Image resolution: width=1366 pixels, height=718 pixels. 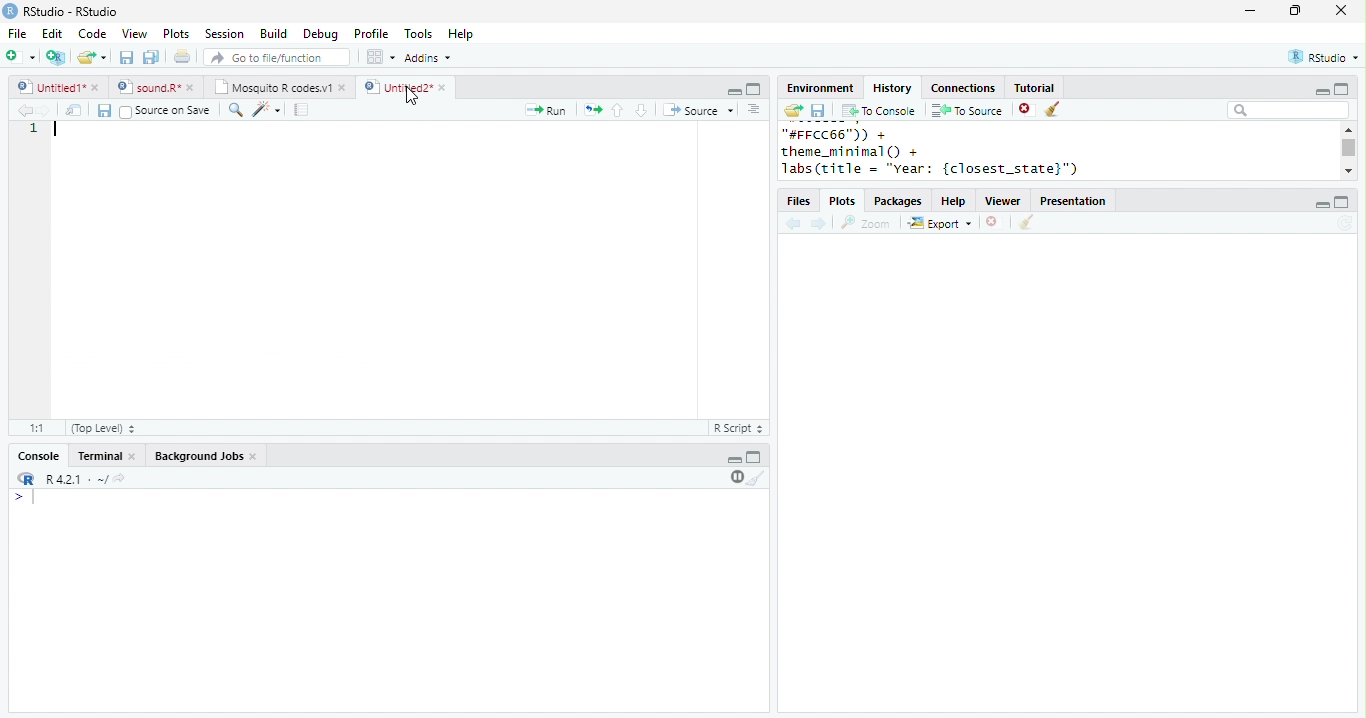 I want to click on Viewer, so click(x=1004, y=202).